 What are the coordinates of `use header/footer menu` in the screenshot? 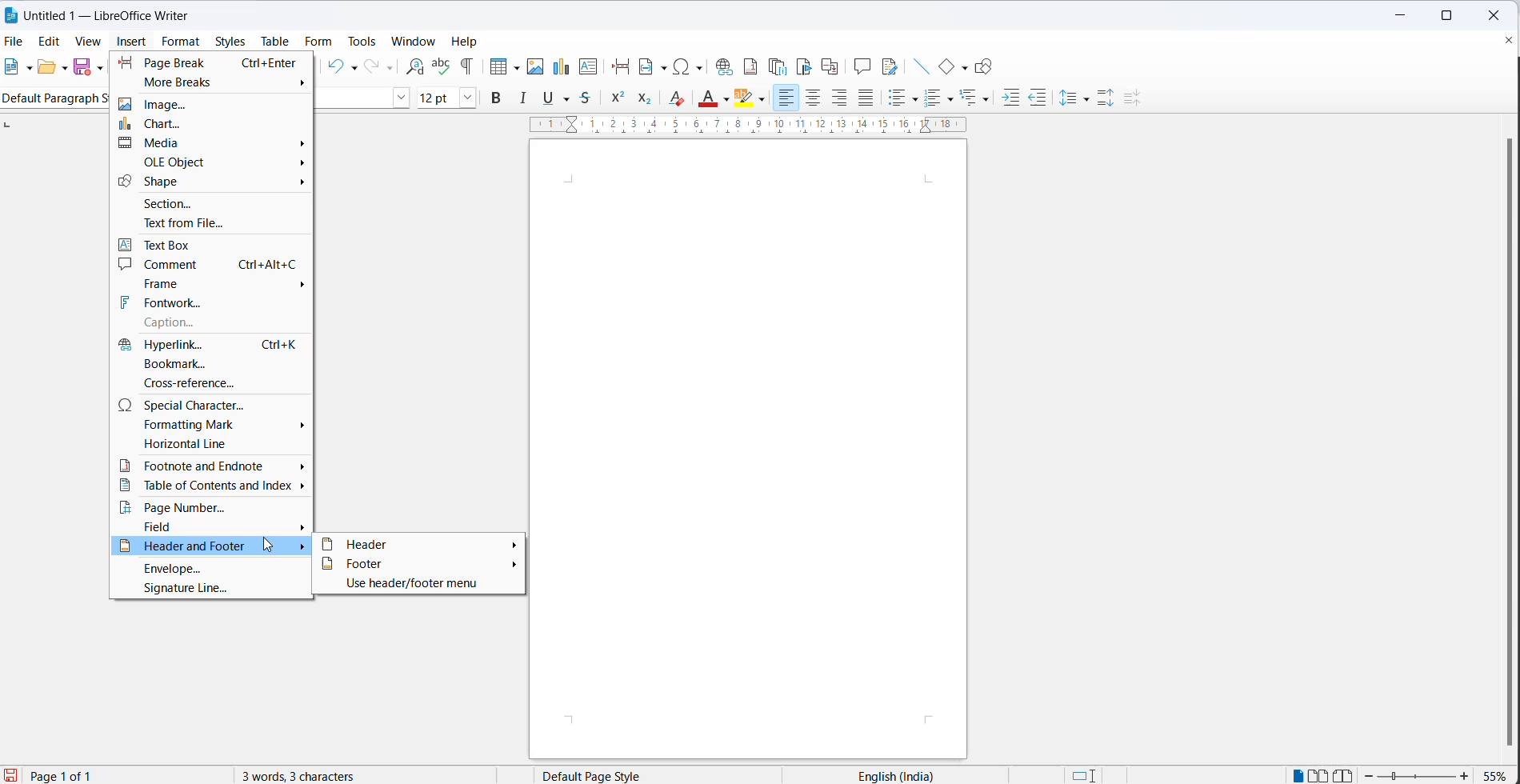 It's located at (421, 586).